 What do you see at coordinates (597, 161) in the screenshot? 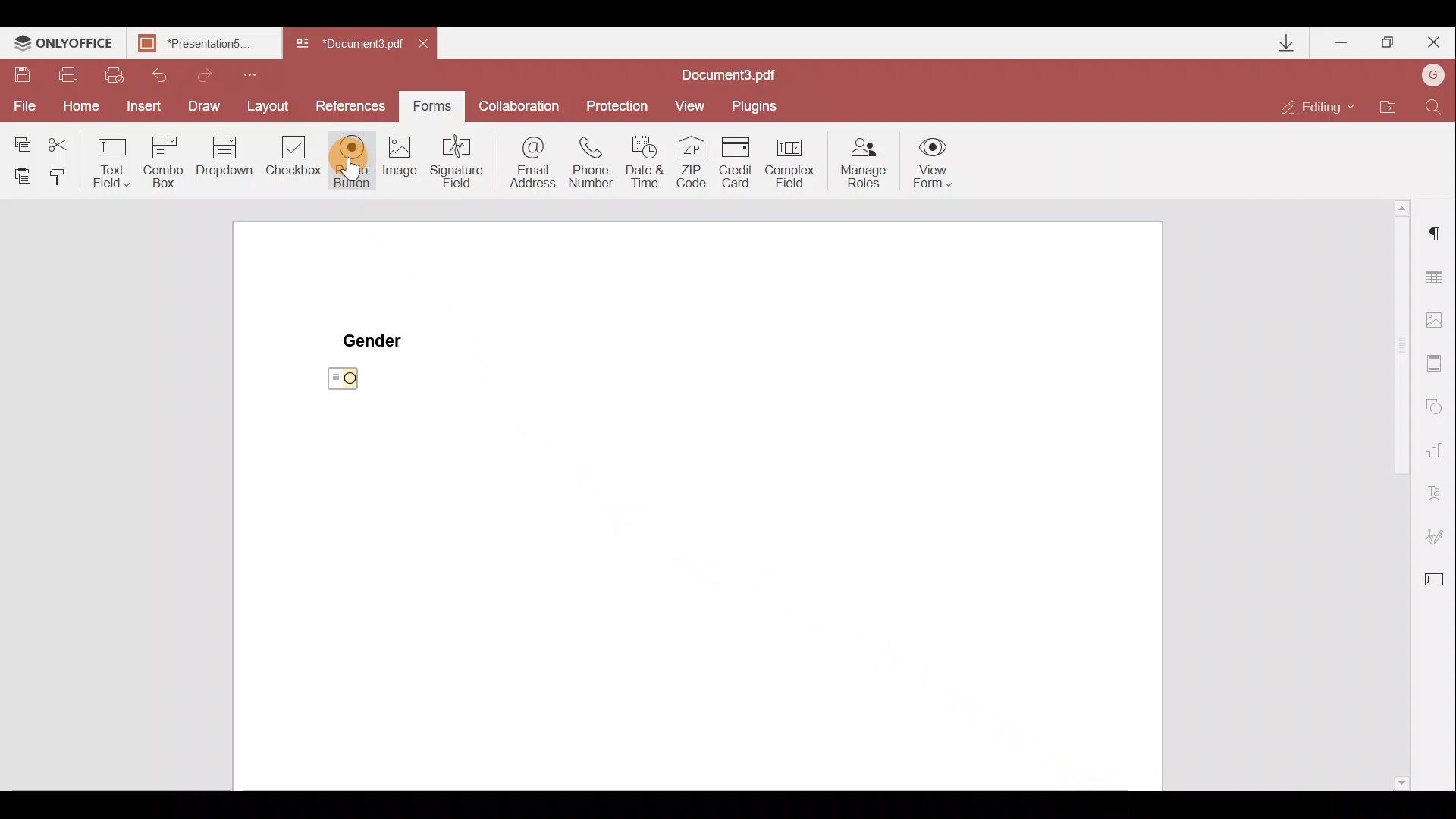
I see `Phone number` at bounding box center [597, 161].